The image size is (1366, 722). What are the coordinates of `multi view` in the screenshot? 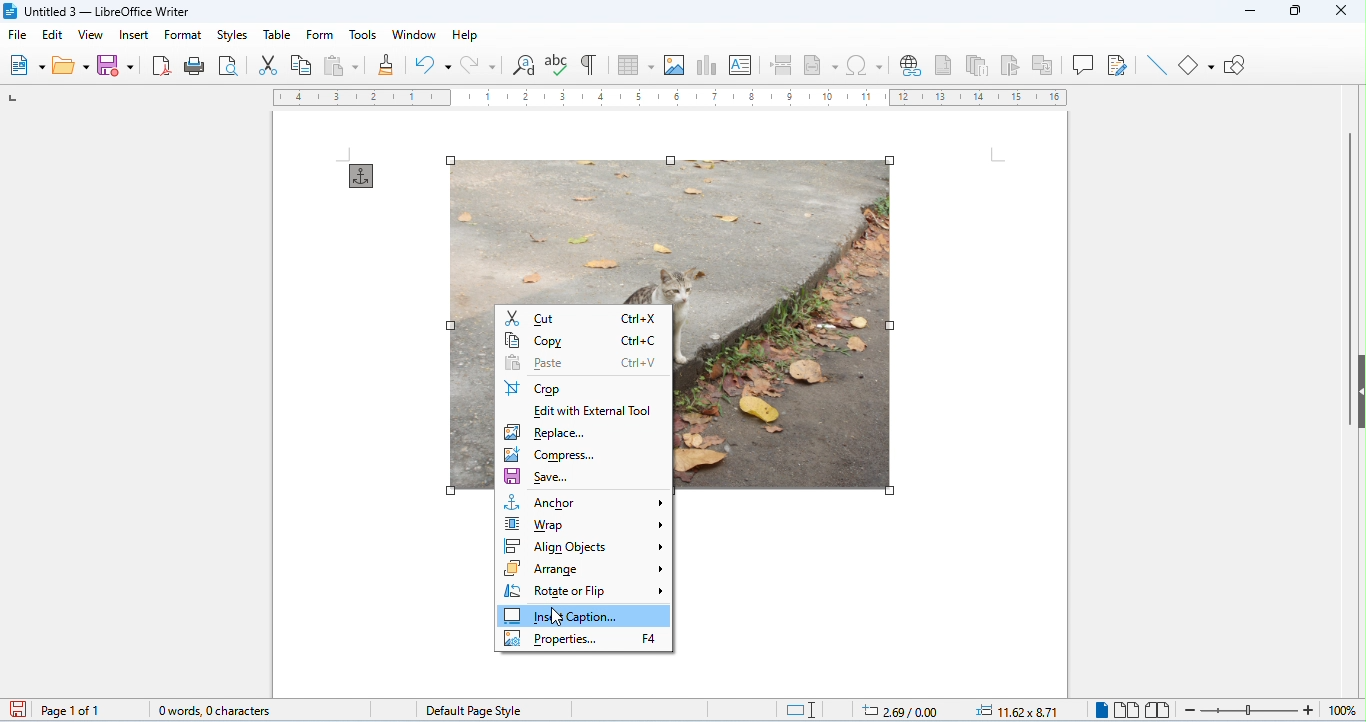 It's located at (1127, 710).